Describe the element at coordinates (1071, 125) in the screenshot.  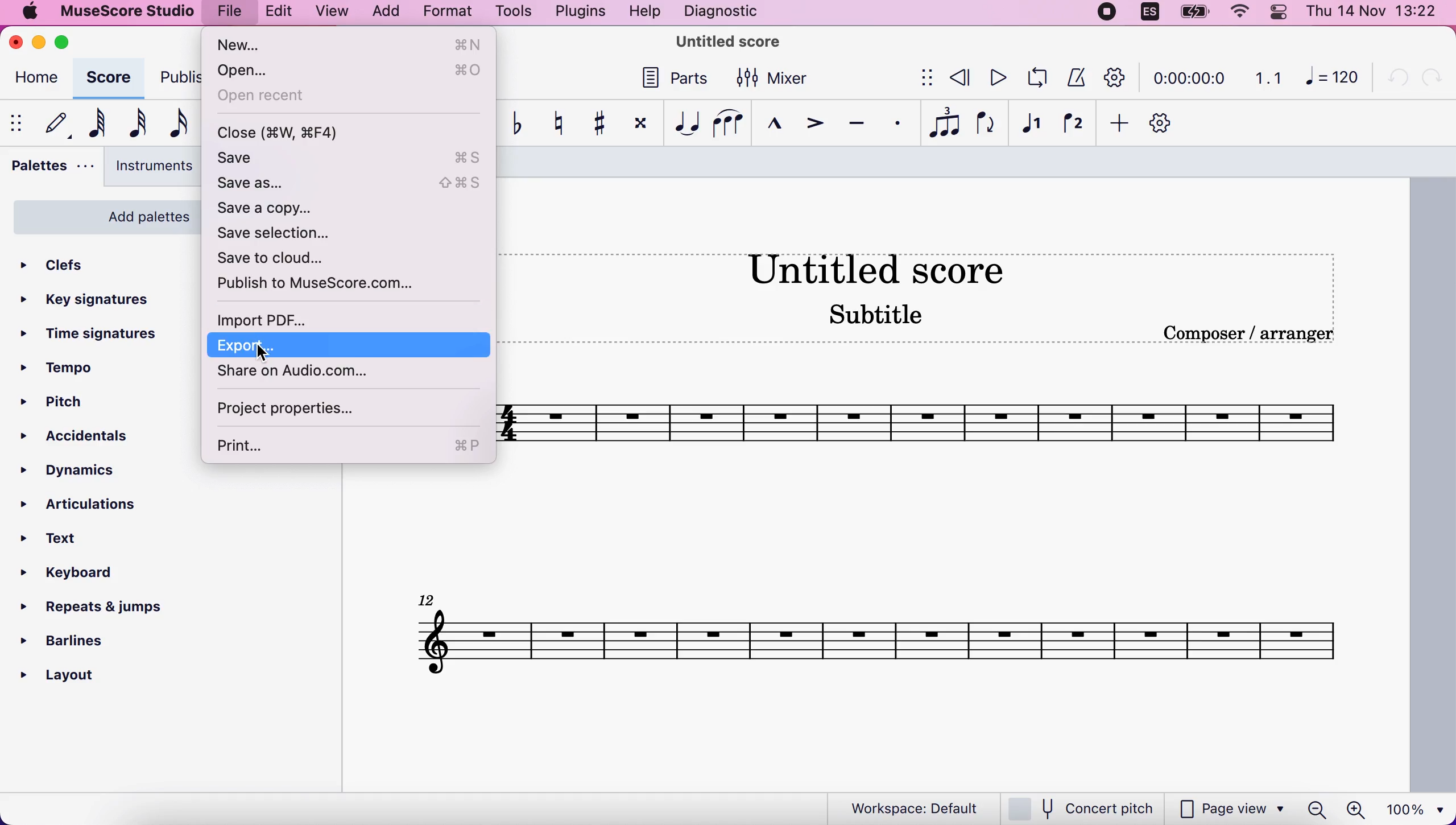
I see `voice 2` at that location.